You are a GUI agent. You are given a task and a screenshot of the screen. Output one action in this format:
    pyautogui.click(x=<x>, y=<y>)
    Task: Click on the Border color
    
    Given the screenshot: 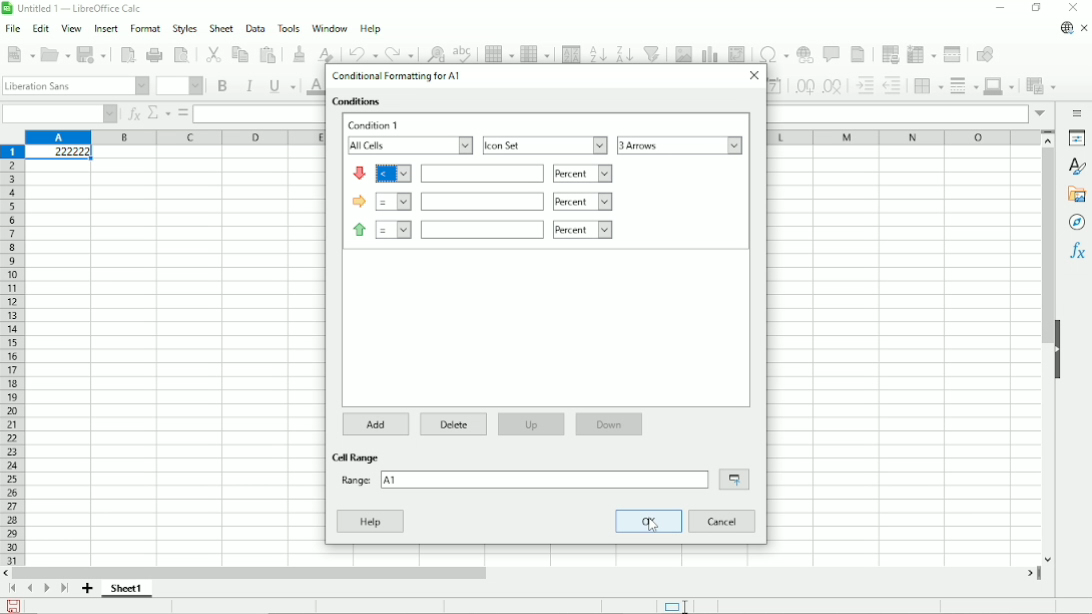 What is the action you would take?
    pyautogui.click(x=1001, y=86)
    